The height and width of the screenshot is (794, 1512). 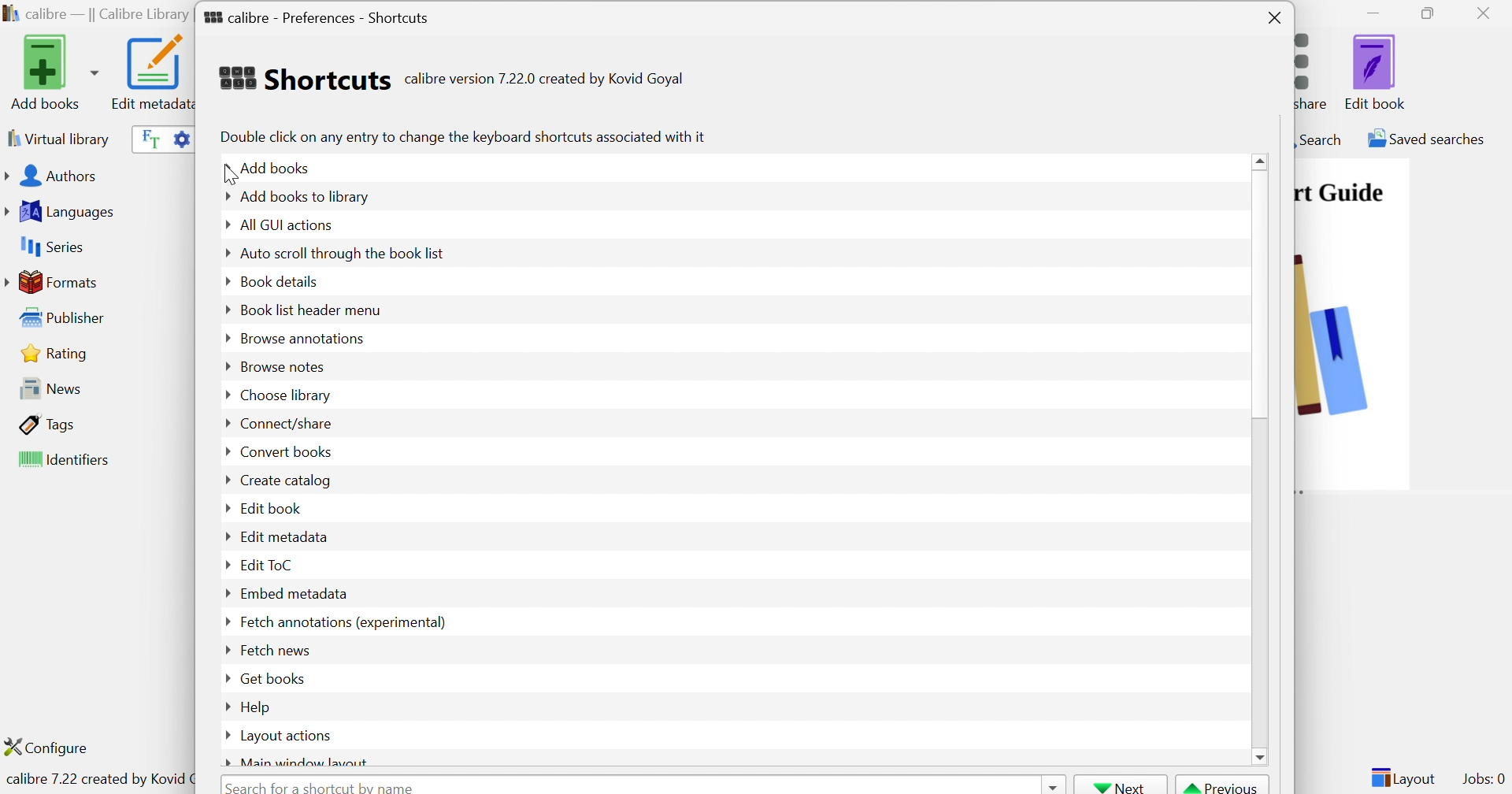 I want to click on Shortcuts, so click(x=303, y=78).